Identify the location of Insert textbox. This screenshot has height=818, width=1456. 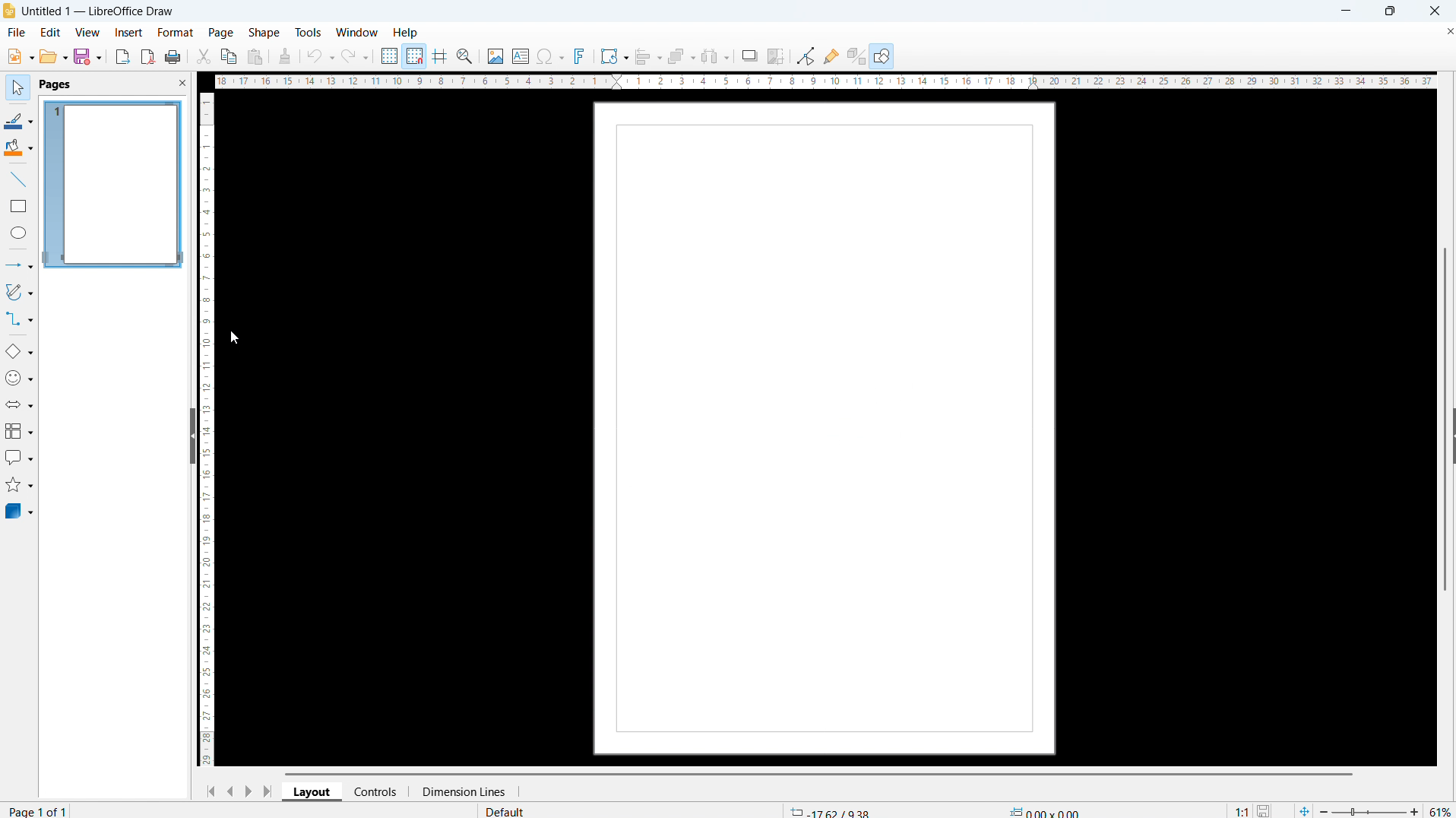
(521, 56).